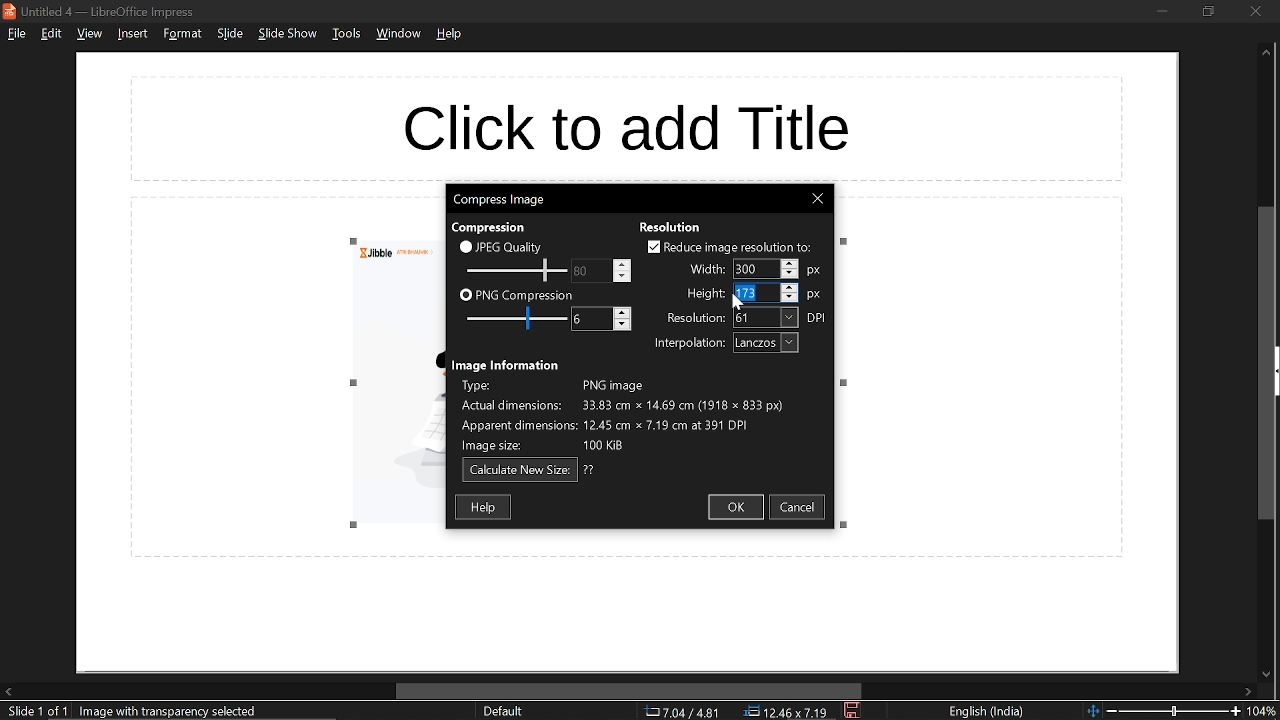 This screenshot has height=720, width=1280. What do you see at coordinates (623, 276) in the screenshot?
I see `Decrease ` at bounding box center [623, 276].